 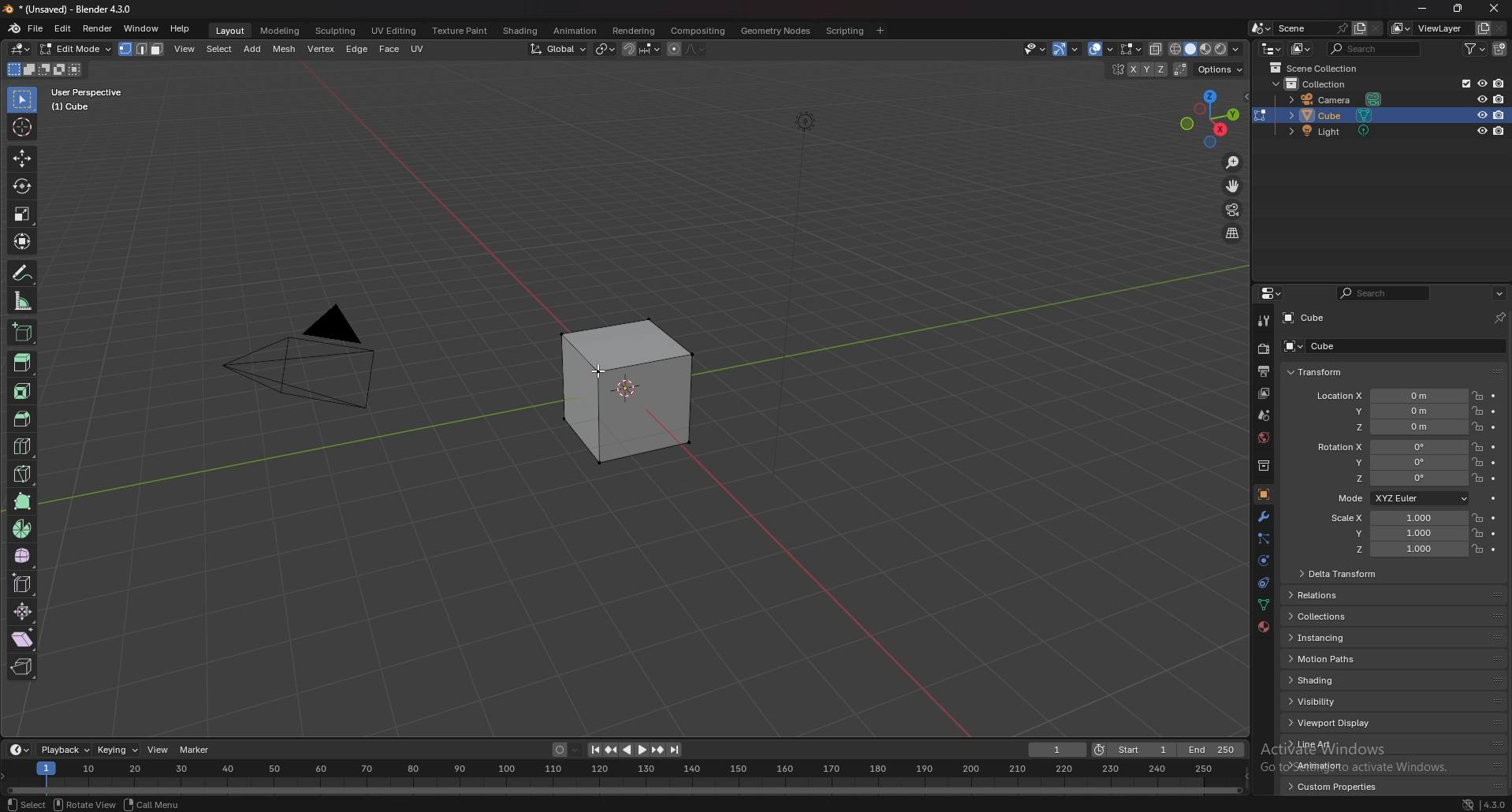 I want to click on select, so click(x=25, y=100).